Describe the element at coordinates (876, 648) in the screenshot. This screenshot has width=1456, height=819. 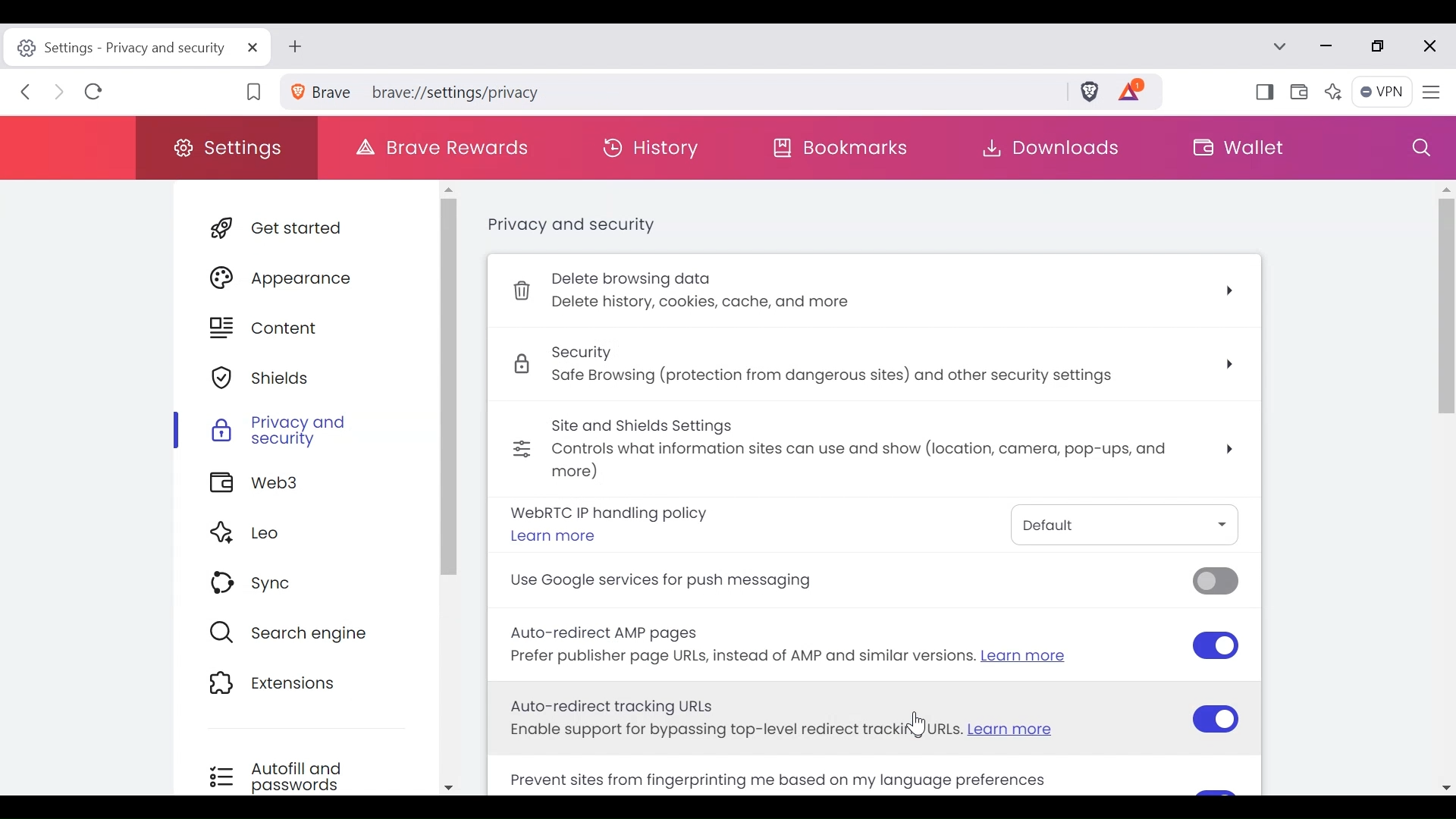
I see `auto-redirect amp pages prefer publisher page URLs, instead of amp and similar versions. learn more` at that location.